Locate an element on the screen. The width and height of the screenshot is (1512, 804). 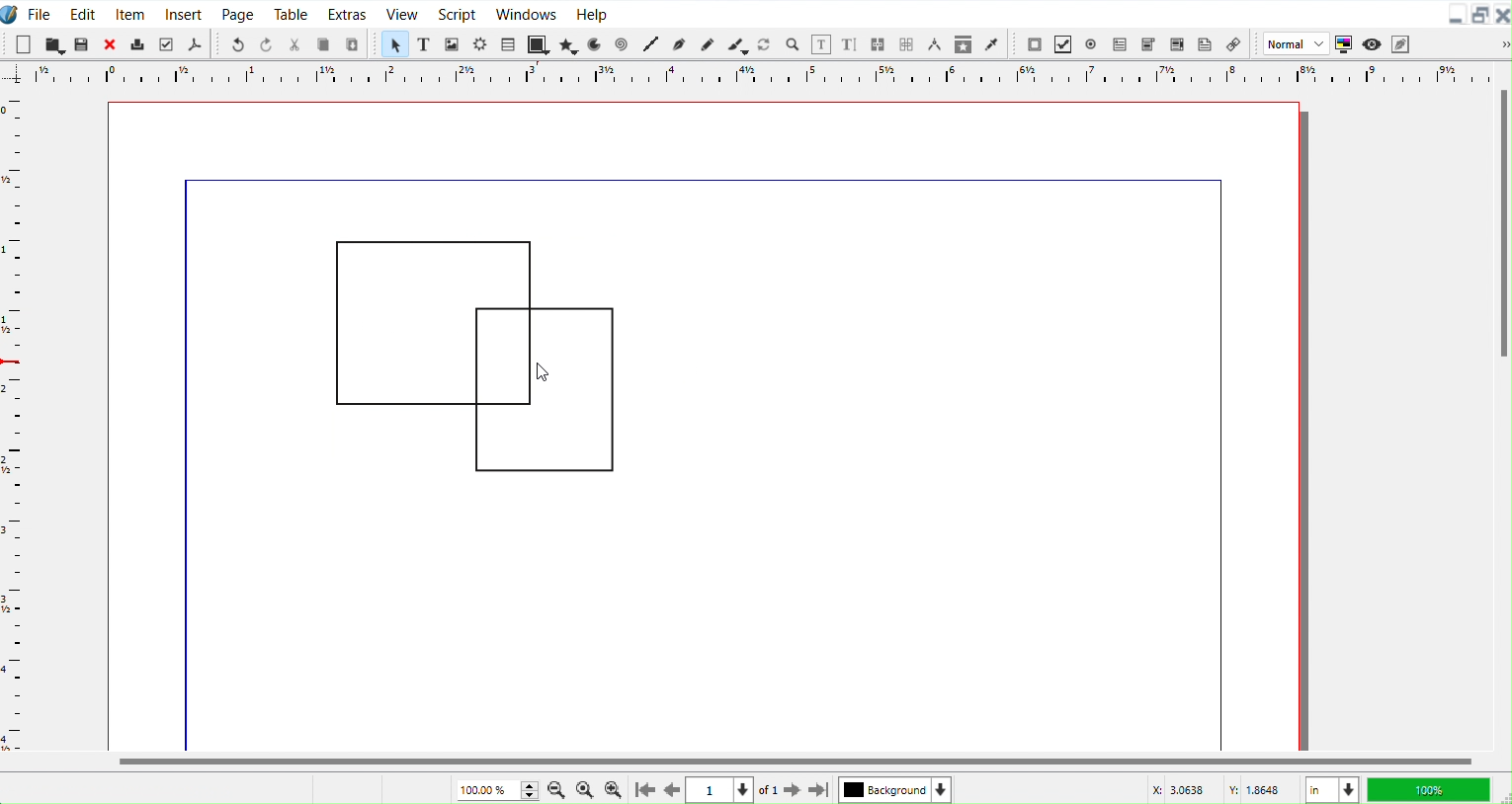
100 %  is located at coordinates (1432, 789).